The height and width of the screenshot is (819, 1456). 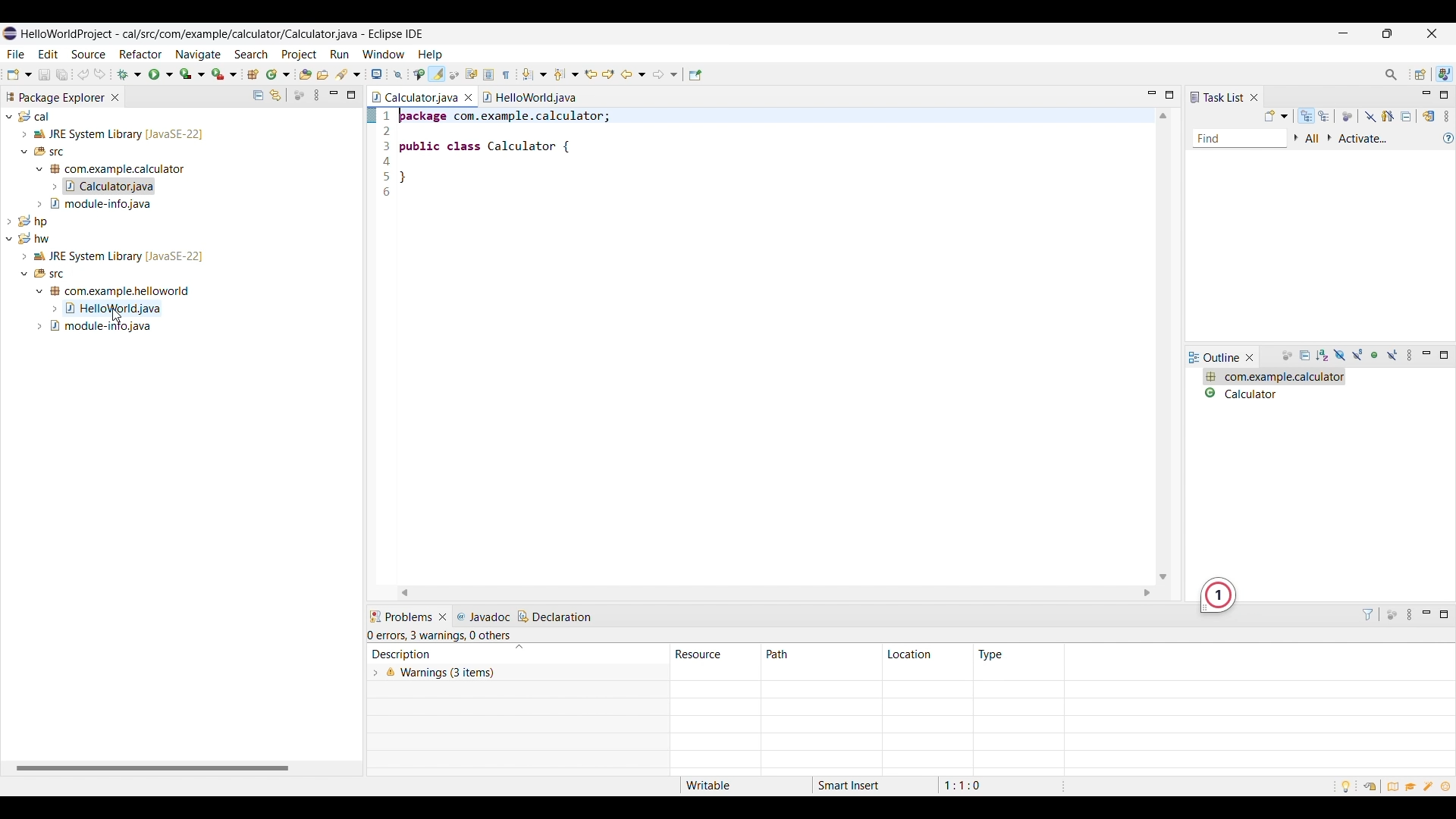 I want to click on Collapse all, so click(x=259, y=95).